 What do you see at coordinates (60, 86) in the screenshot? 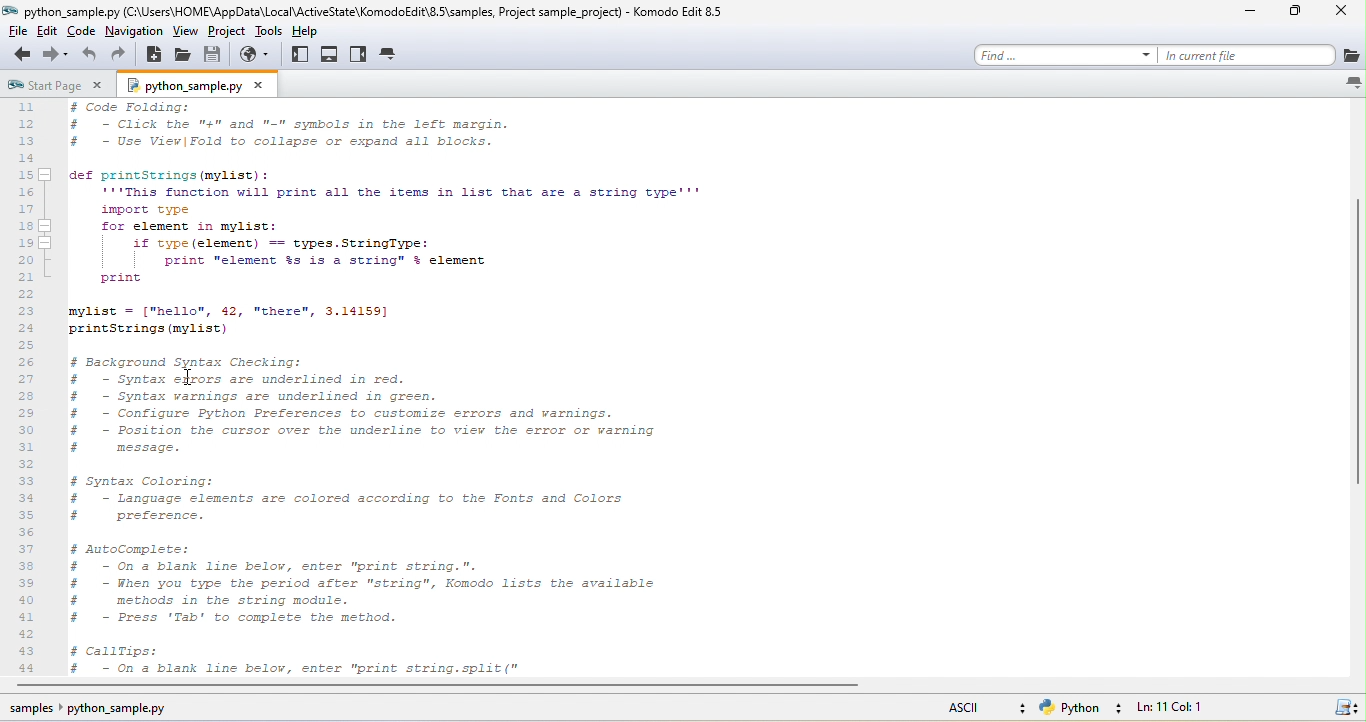
I see `start page` at bounding box center [60, 86].